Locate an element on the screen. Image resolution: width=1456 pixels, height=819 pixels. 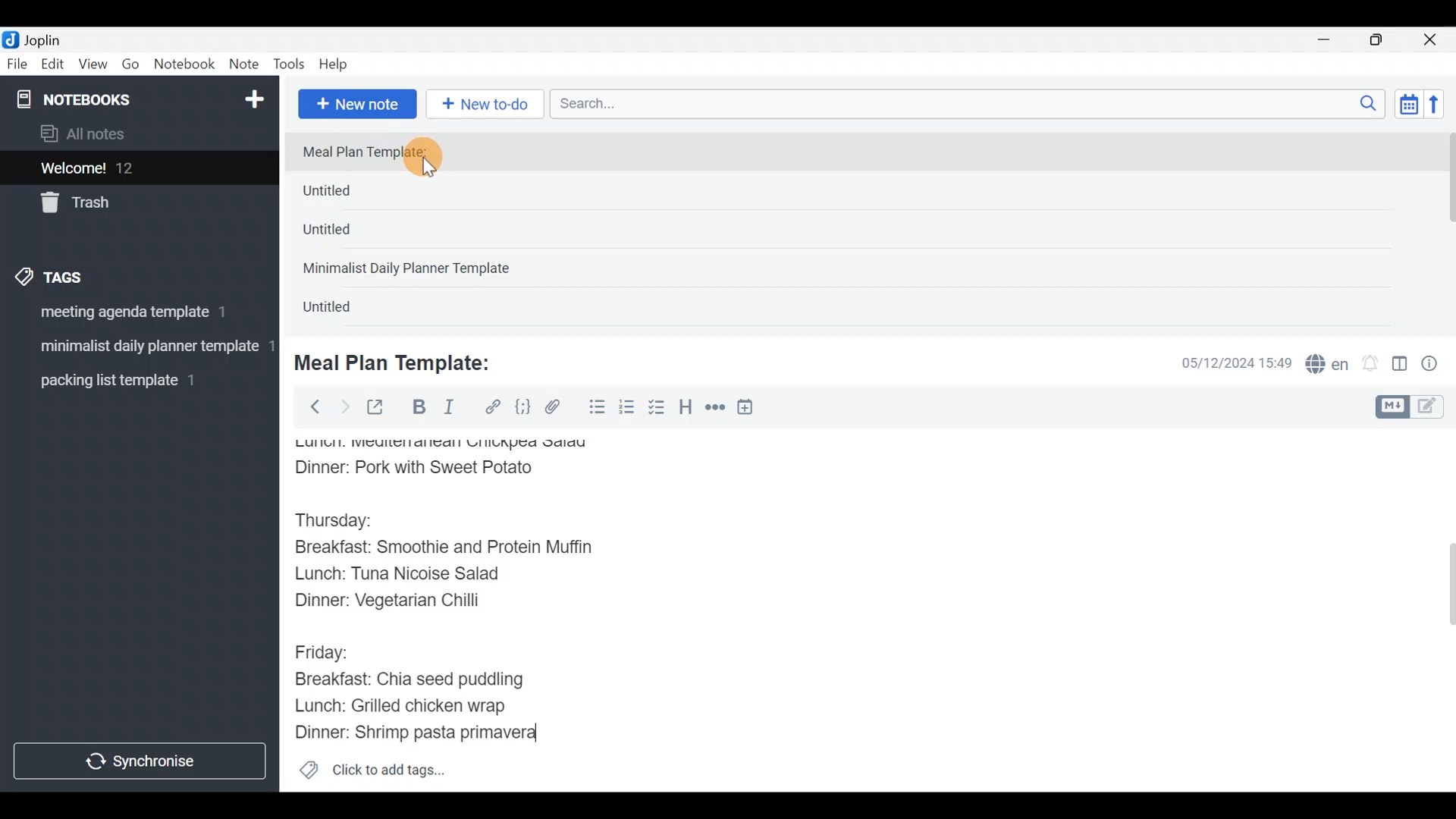
Minimalist Daily Planner Template is located at coordinates (411, 270).